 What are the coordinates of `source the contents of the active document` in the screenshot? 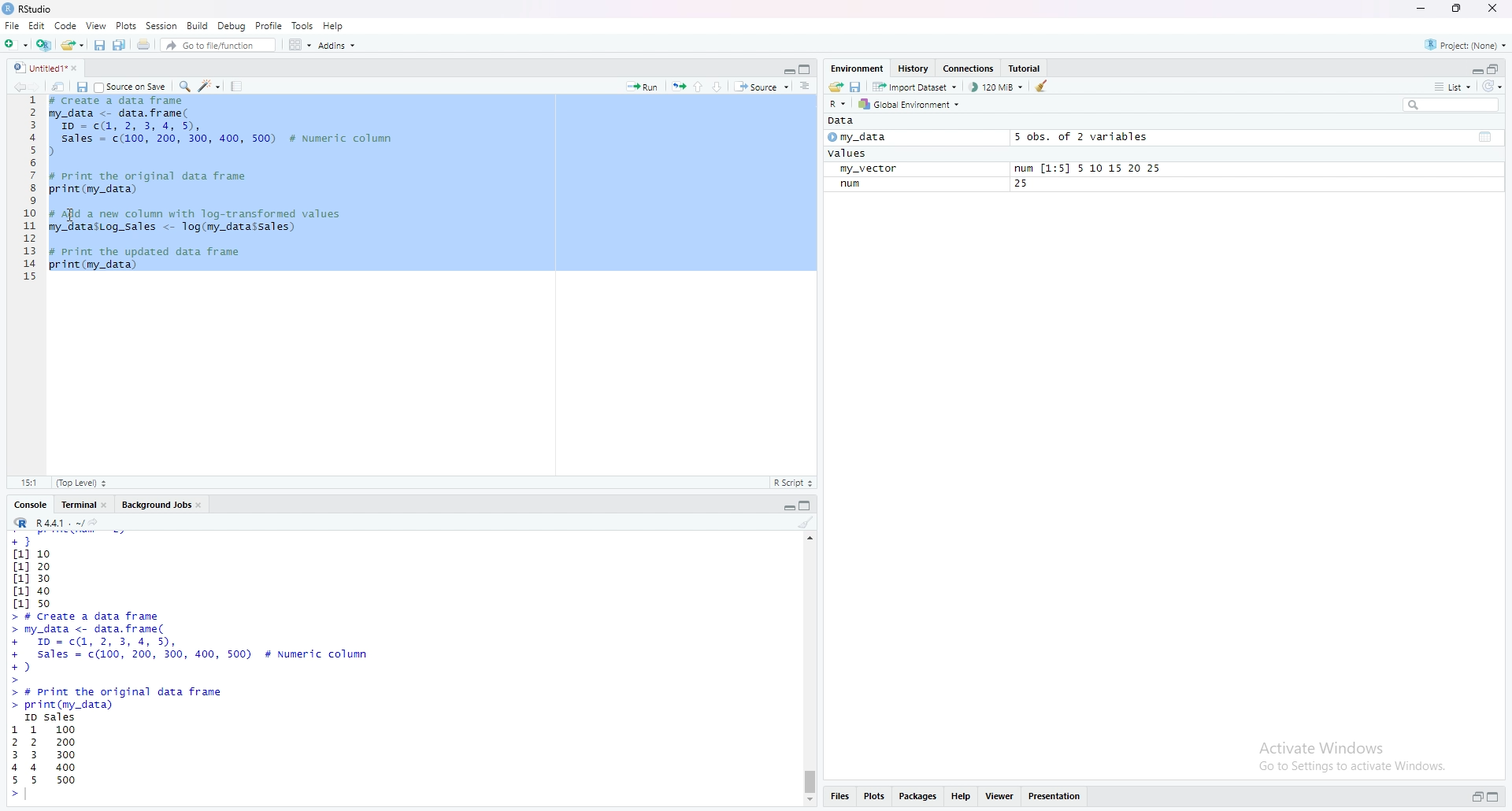 It's located at (763, 87).